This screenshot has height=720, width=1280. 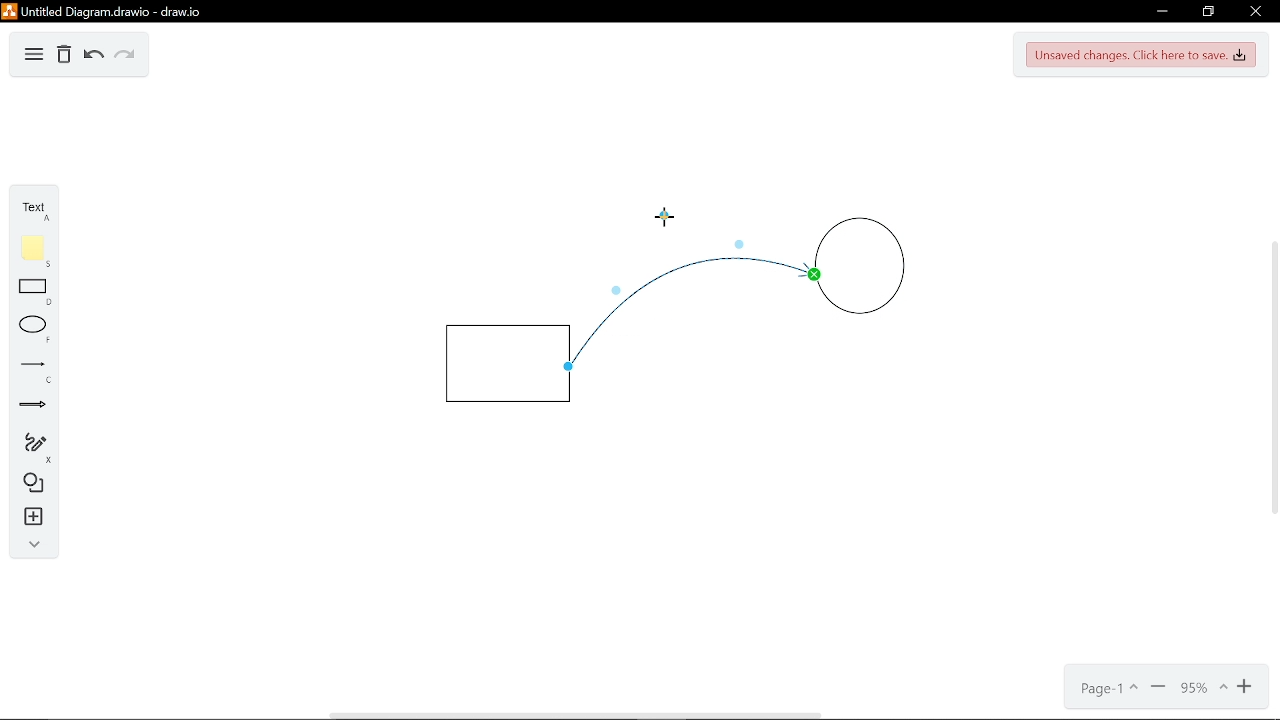 I want to click on Diagram, so click(x=30, y=482).